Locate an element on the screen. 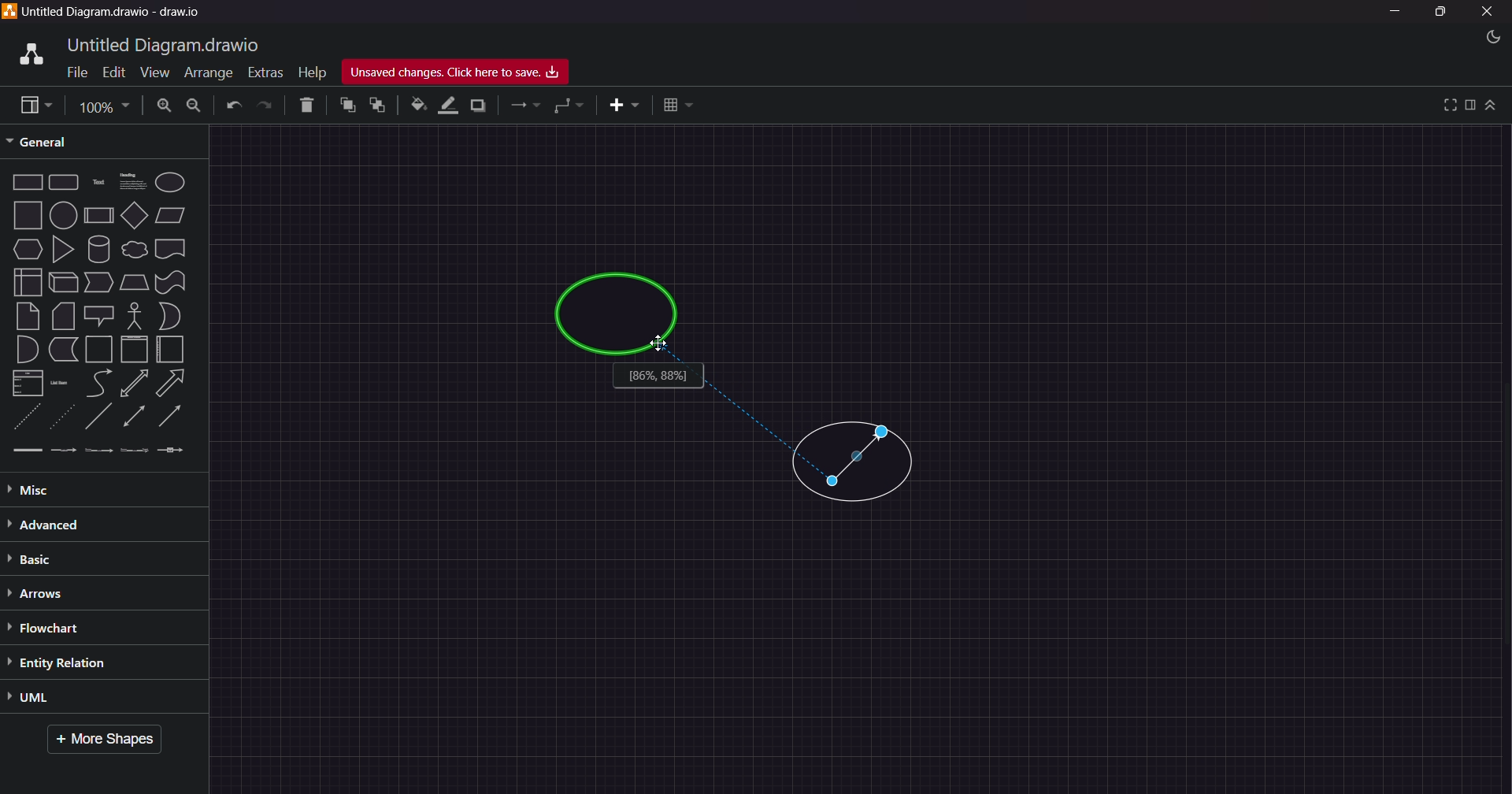 This screenshot has height=794, width=1512. to front is located at coordinates (346, 106).